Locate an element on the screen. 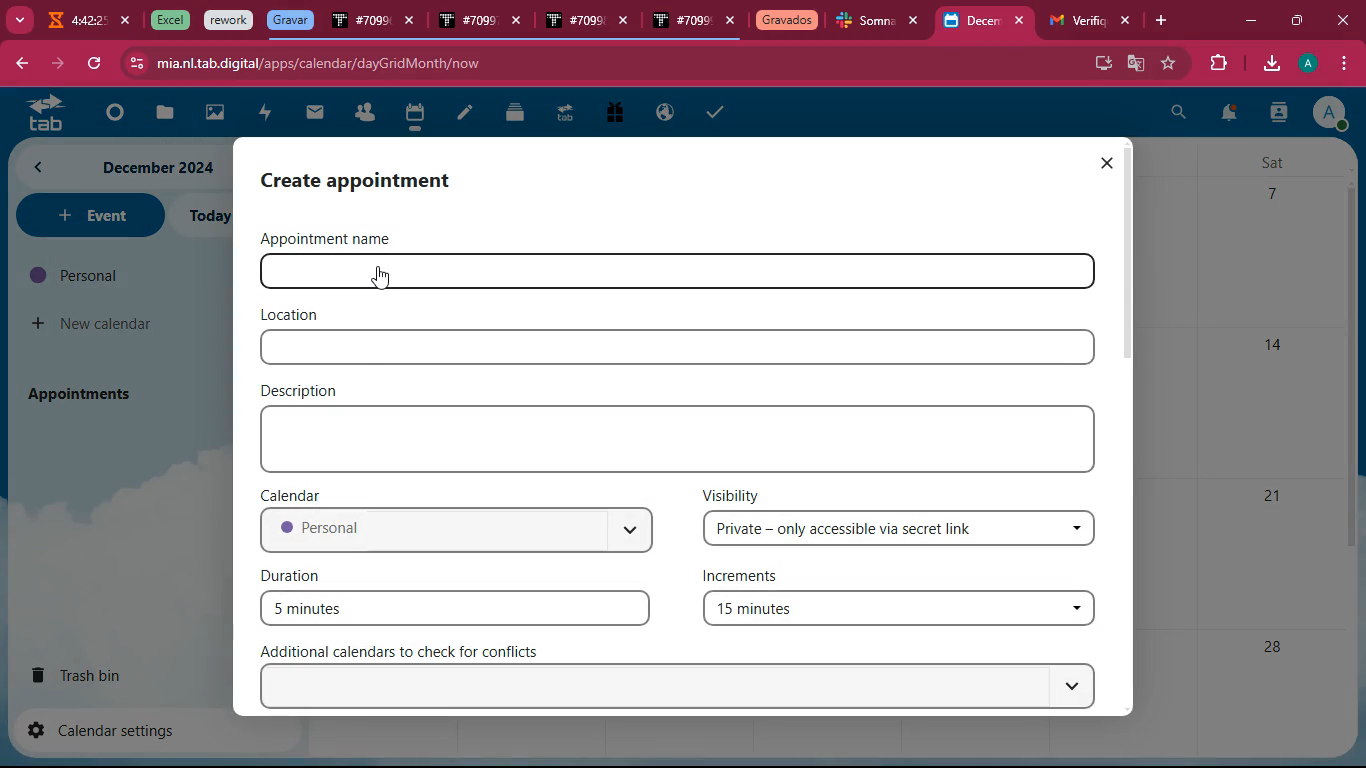 Image resolution: width=1366 pixels, height=768 pixels. download is located at coordinates (1270, 65).